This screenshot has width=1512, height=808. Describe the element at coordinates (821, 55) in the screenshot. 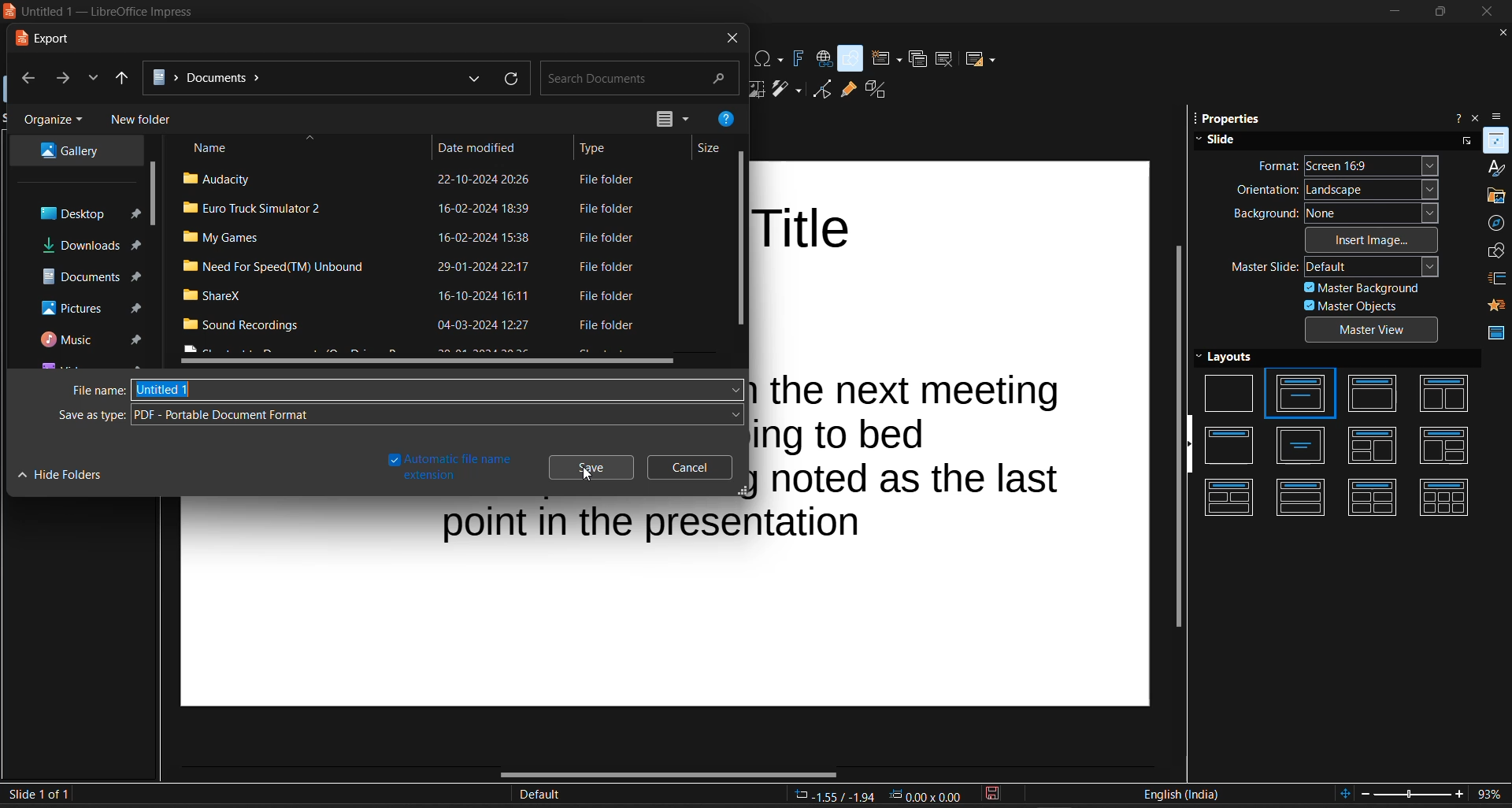

I see `insert hyperlink` at that location.